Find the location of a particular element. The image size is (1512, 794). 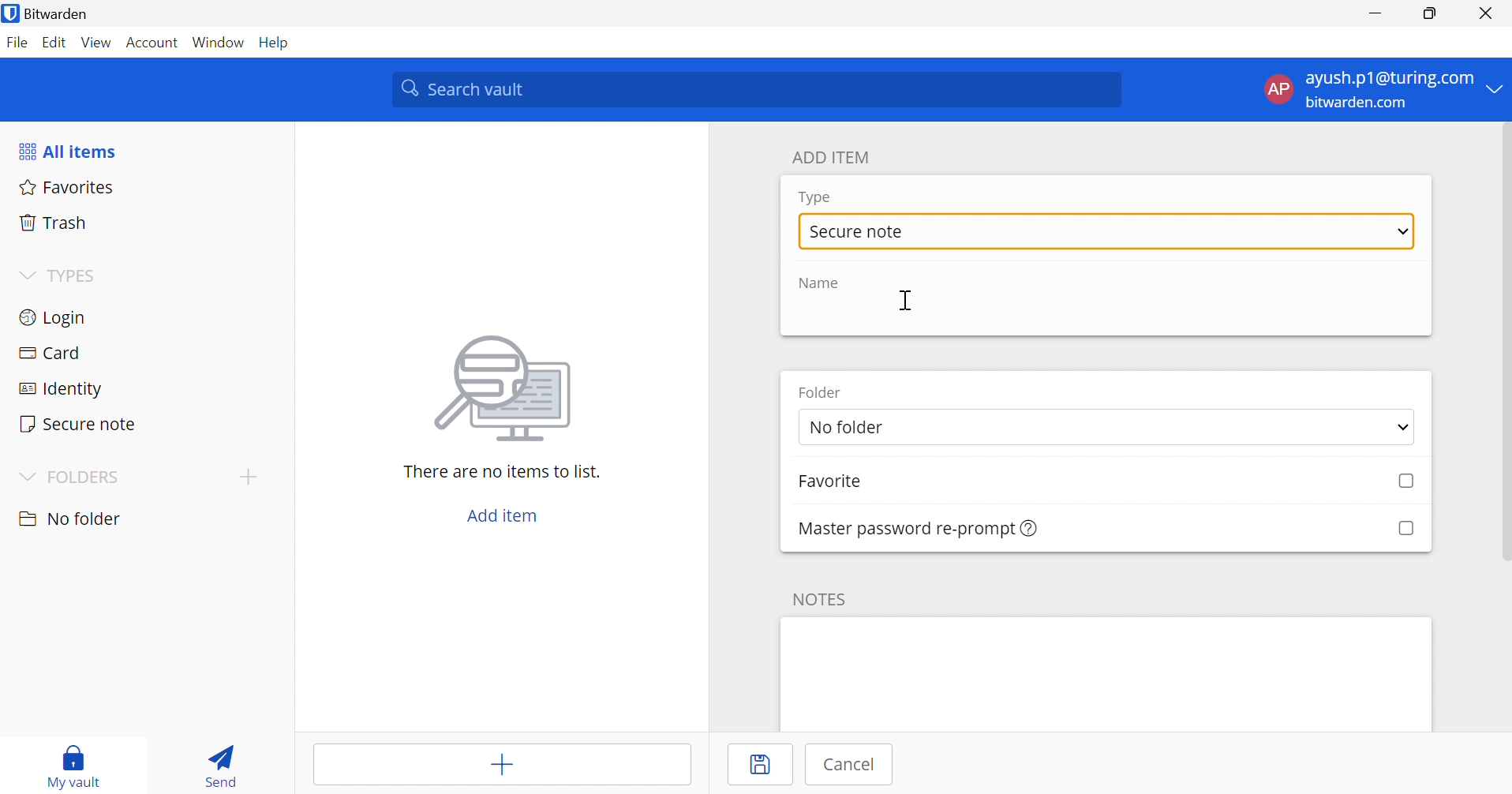

box is located at coordinates (1399, 482).